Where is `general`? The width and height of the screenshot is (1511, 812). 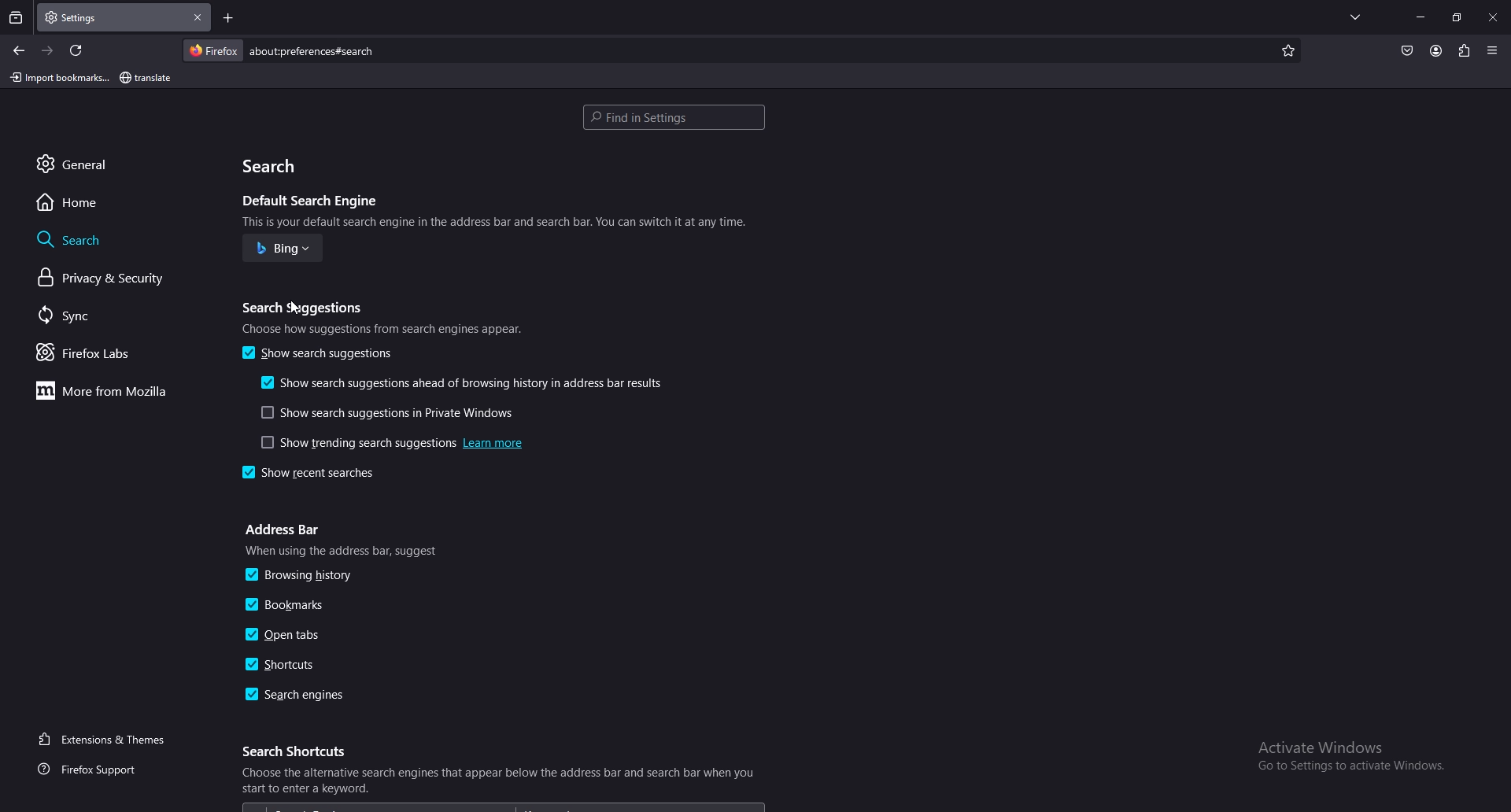 general is located at coordinates (125, 164).